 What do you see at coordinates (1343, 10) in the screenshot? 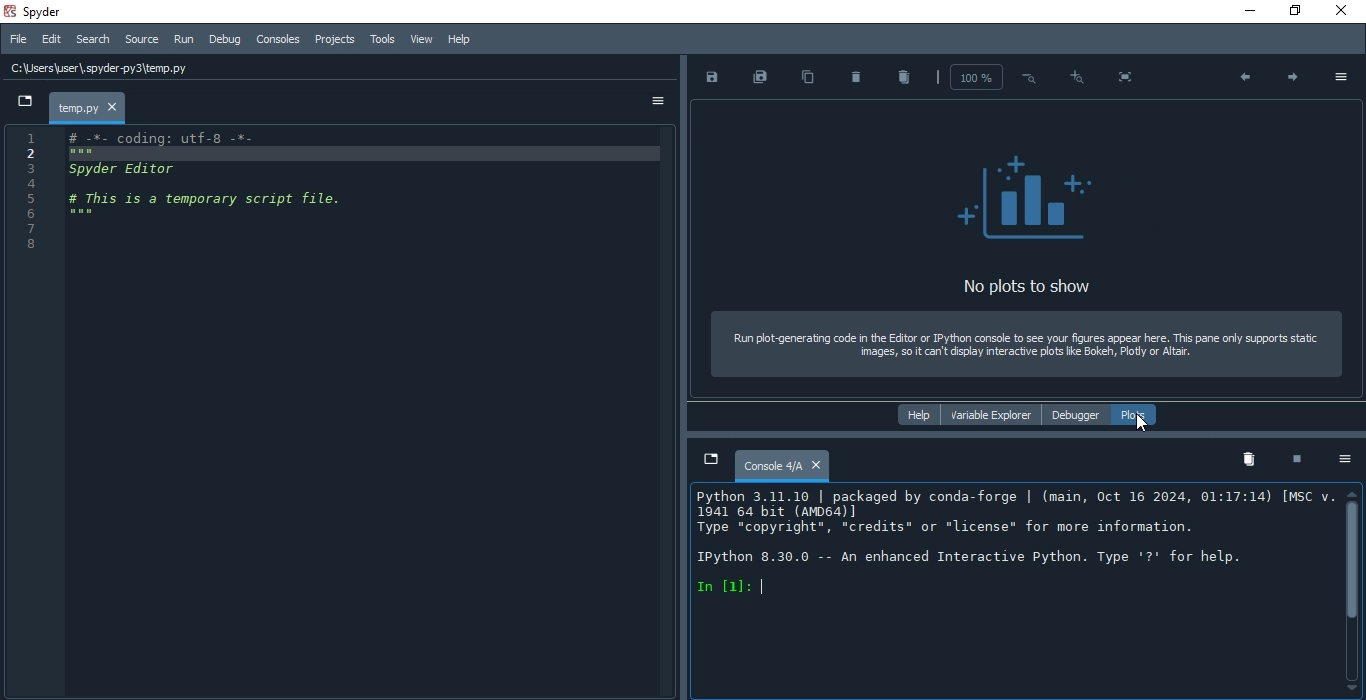
I see `close` at bounding box center [1343, 10].